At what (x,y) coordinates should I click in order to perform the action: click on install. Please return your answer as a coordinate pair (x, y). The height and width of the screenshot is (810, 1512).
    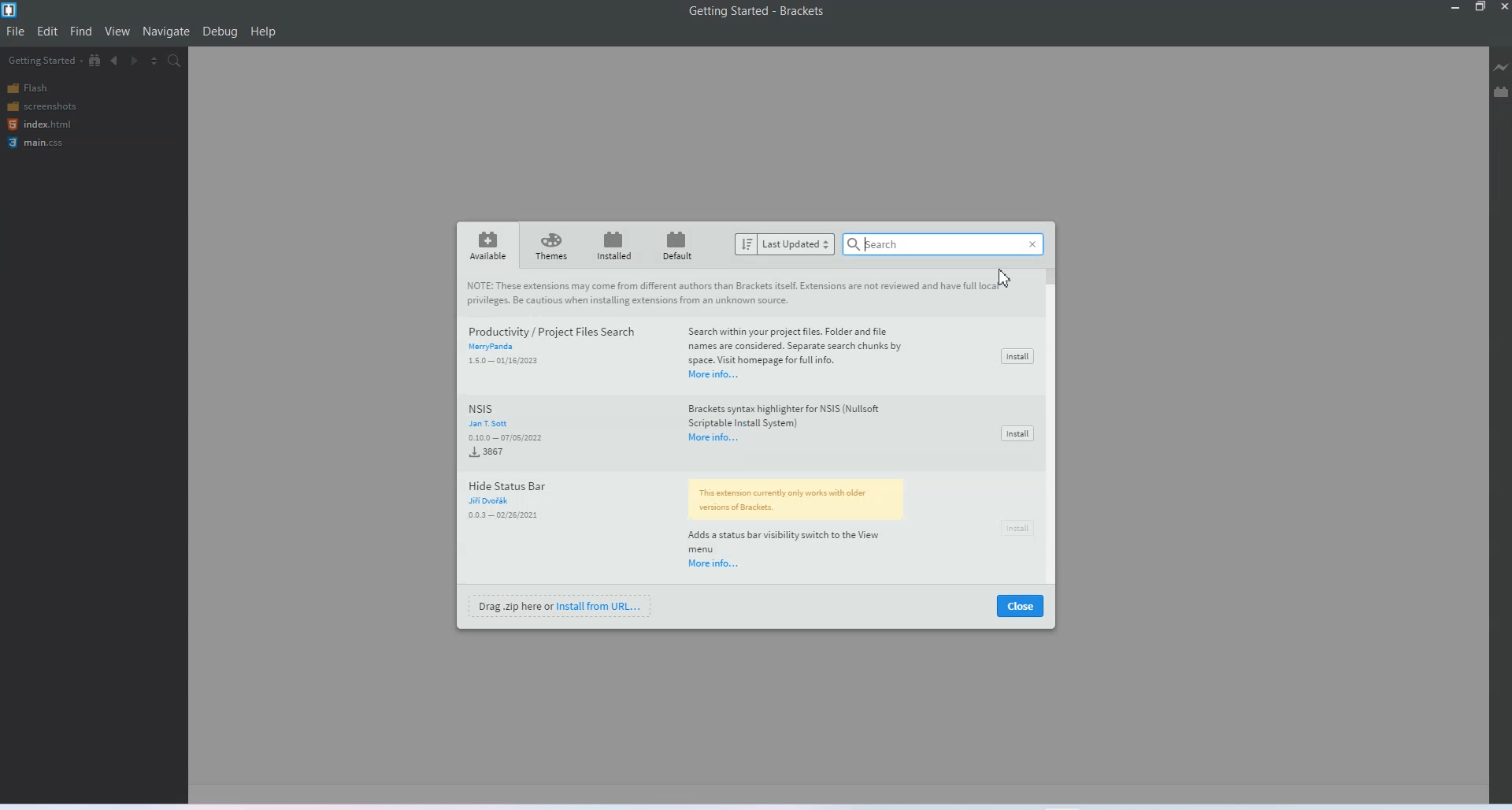
    Looking at the image, I should click on (1017, 529).